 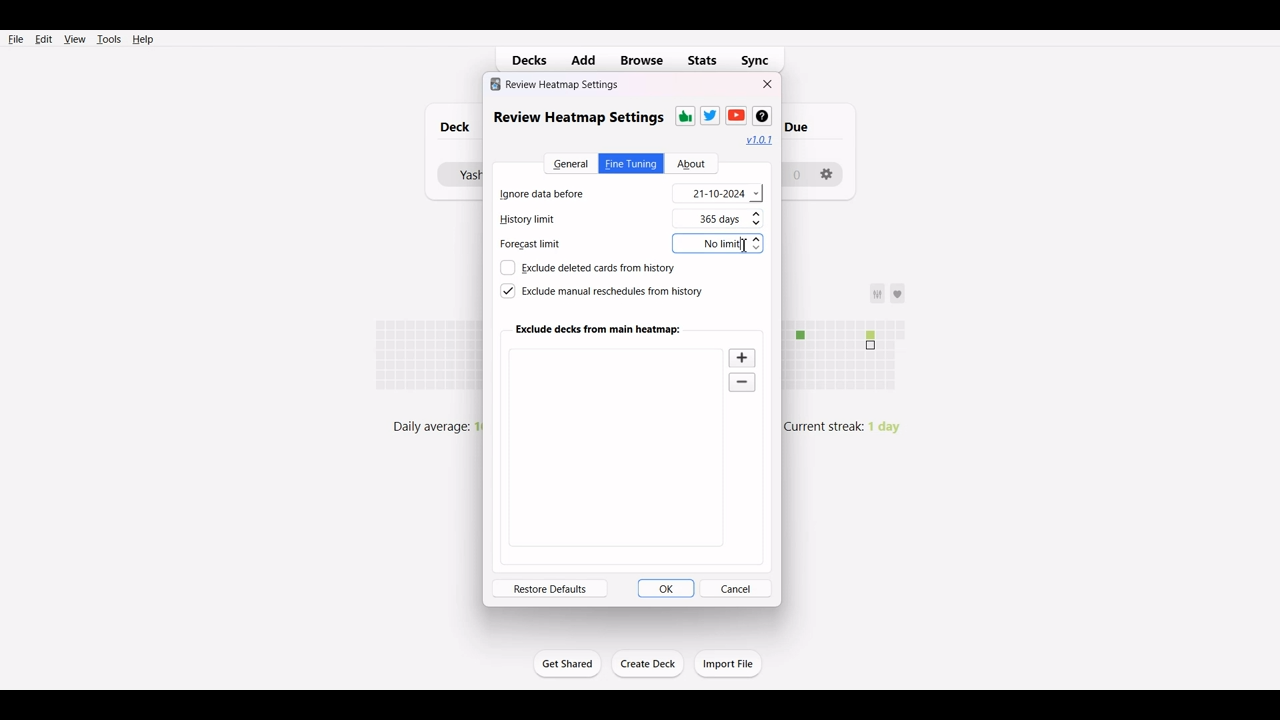 What do you see at coordinates (431, 426) in the screenshot?
I see `daily average` at bounding box center [431, 426].